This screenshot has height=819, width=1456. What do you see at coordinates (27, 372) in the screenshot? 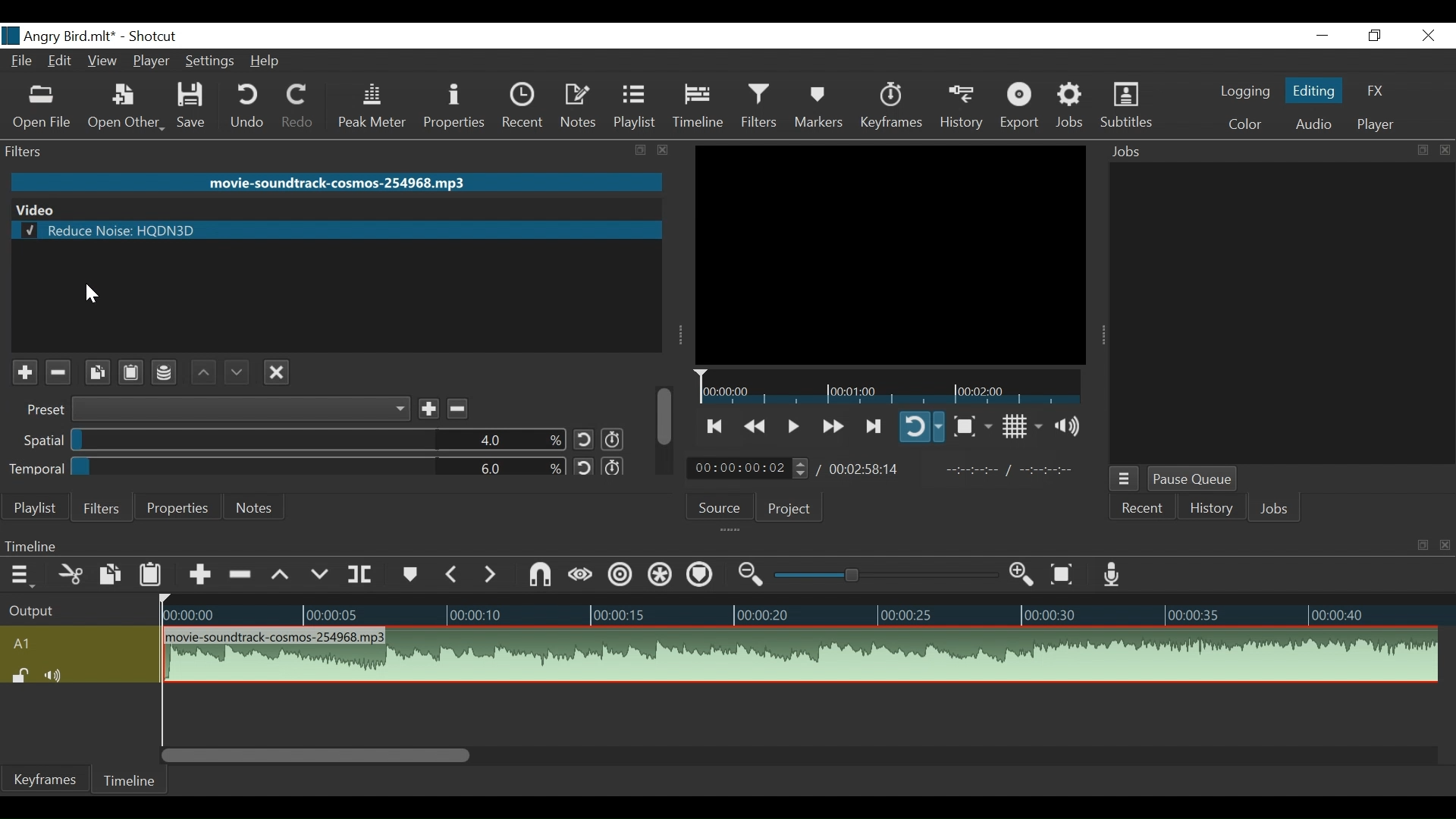
I see `Add a filter` at bounding box center [27, 372].